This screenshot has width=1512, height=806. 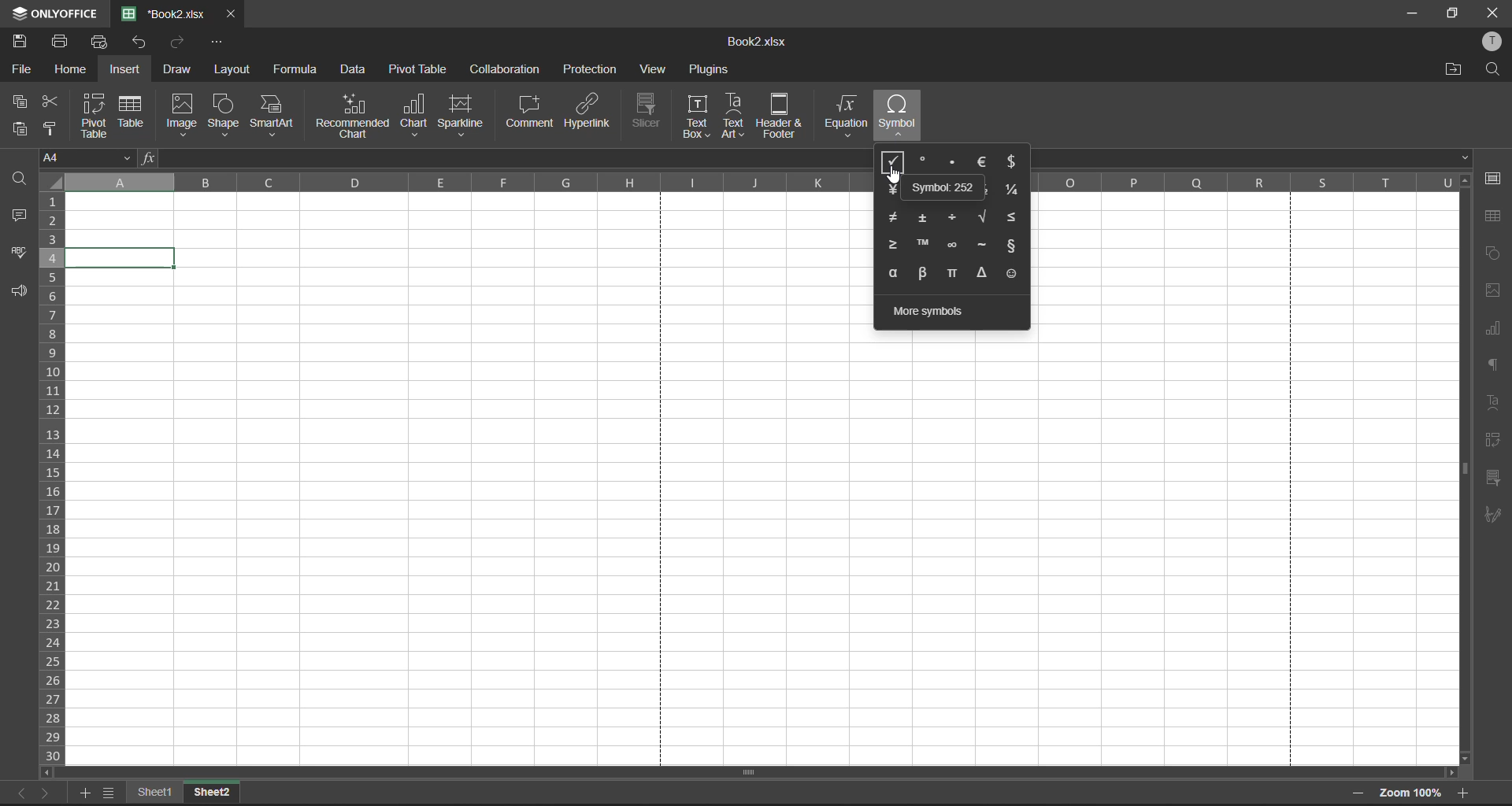 What do you see at coordinates (21, 217) in the screenshot?
I see `comments` at bounding box center [21, 217].